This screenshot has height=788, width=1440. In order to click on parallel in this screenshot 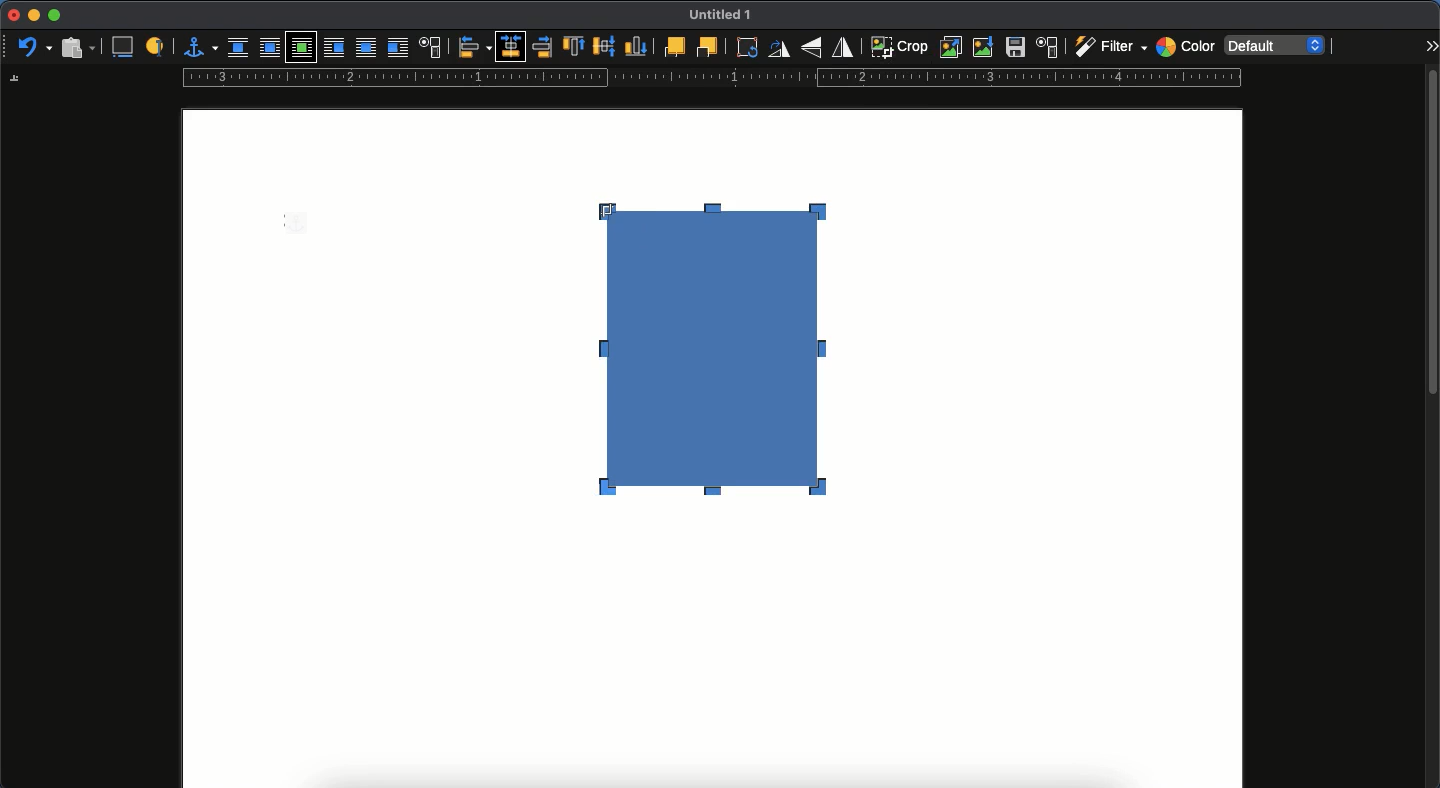, I will do `click(272, 50)`.